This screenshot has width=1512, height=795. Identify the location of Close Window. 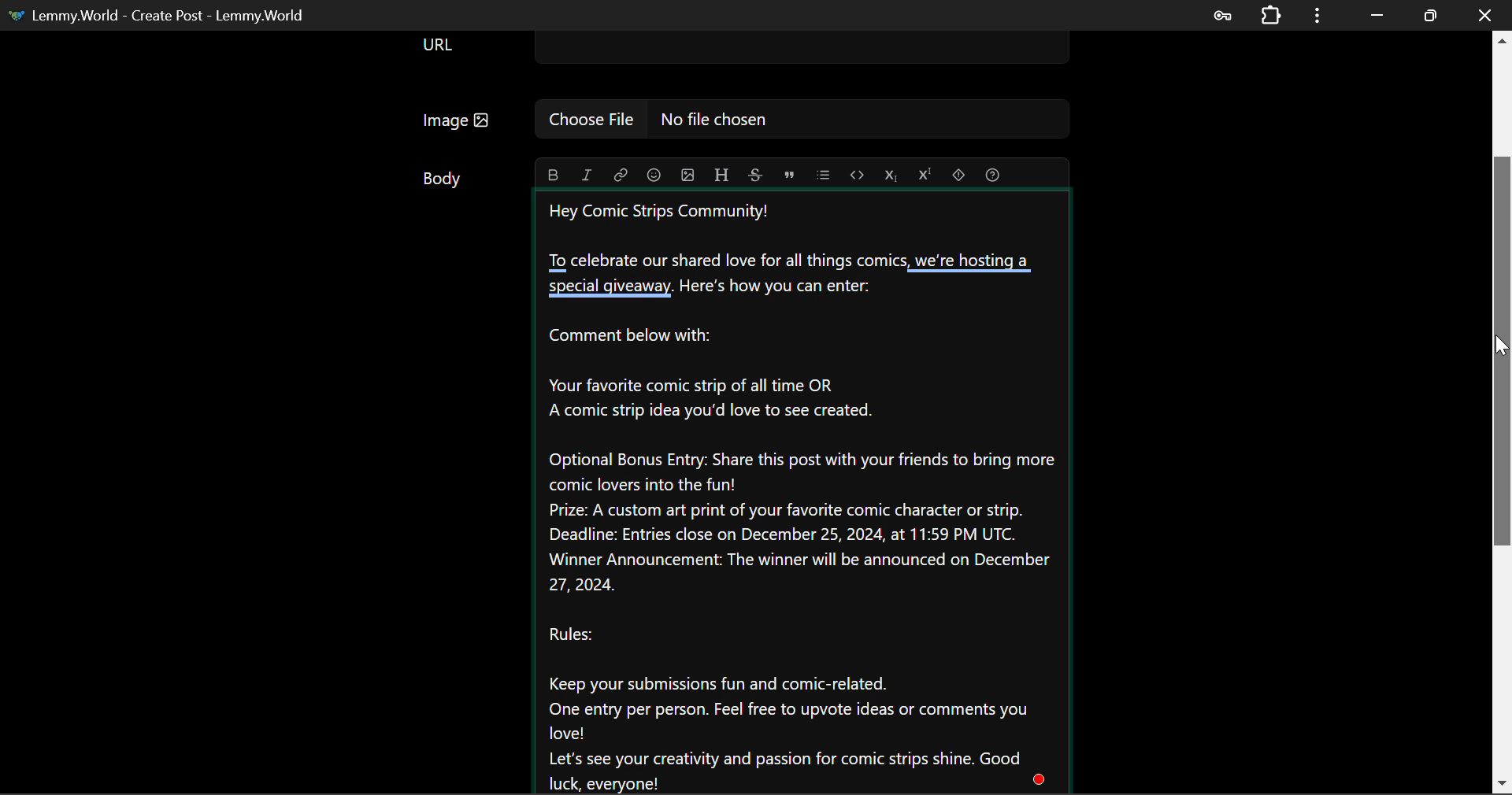
(1484, 13).